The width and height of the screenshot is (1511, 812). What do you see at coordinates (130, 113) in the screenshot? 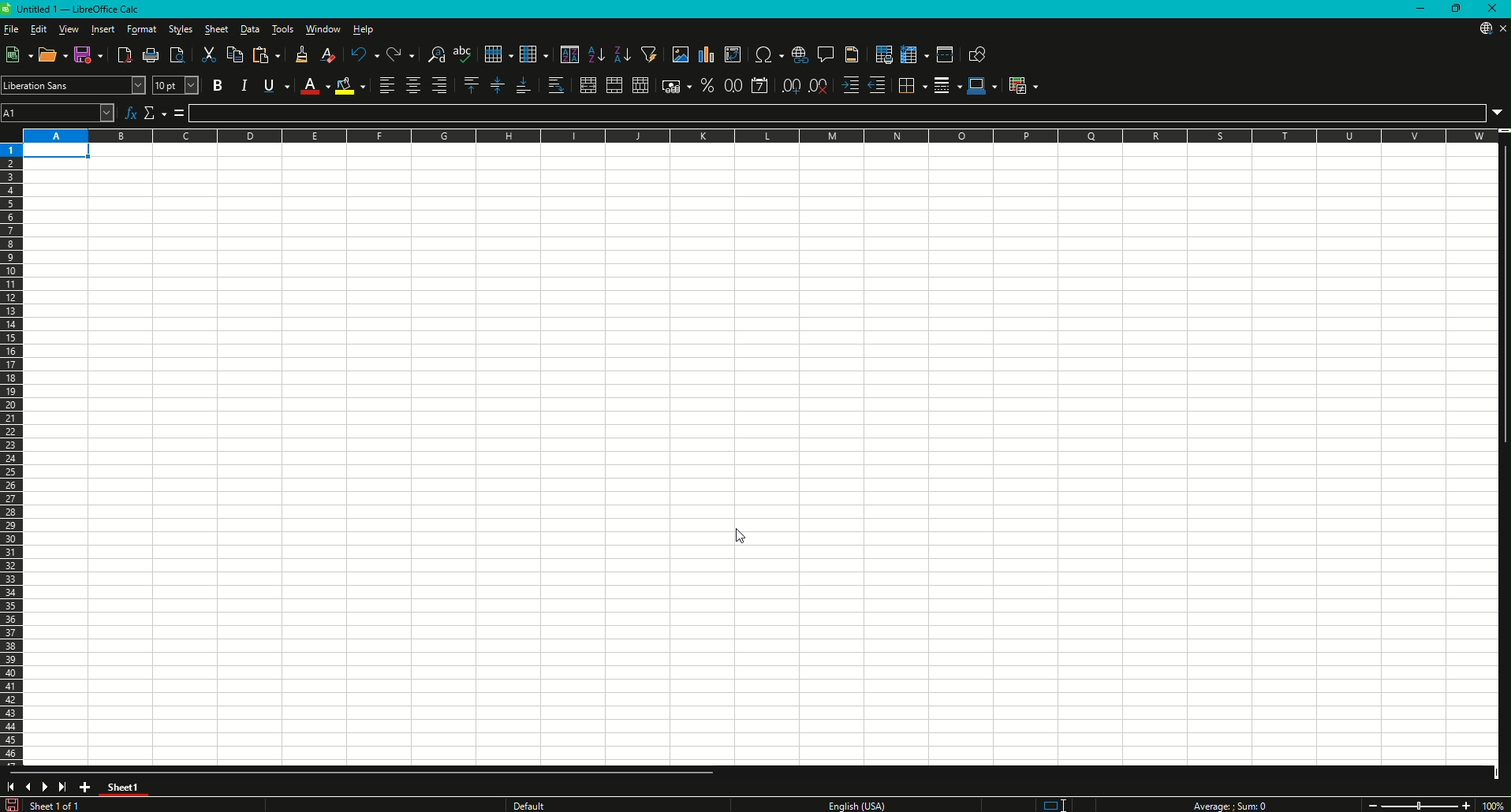
I see `Function Wizard` at bounding box center [130, 113].